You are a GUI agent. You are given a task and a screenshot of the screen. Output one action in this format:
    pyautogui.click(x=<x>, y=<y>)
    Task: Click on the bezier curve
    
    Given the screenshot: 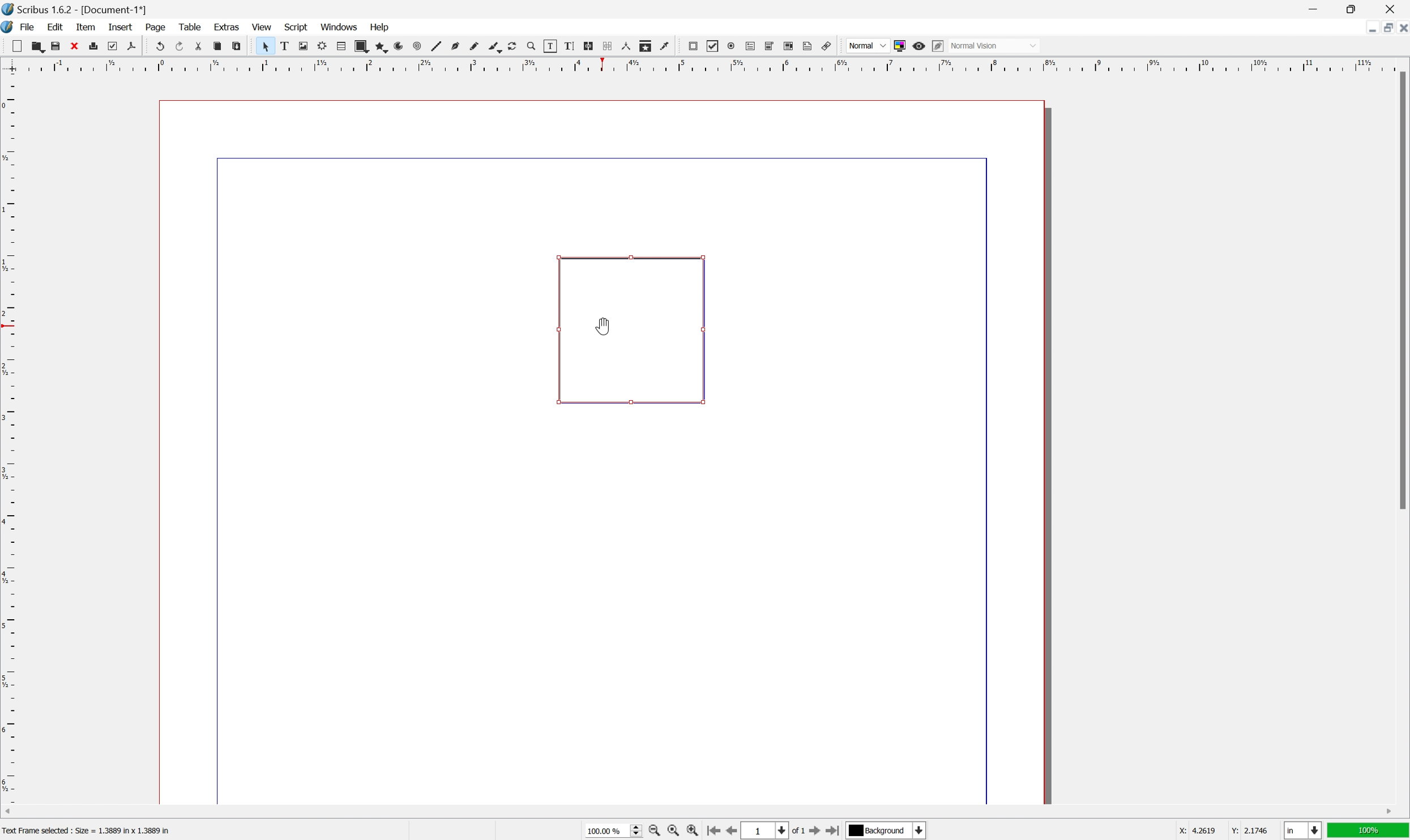 What is the action you would take?
    pyautogui.click(x=455, y=46)
    